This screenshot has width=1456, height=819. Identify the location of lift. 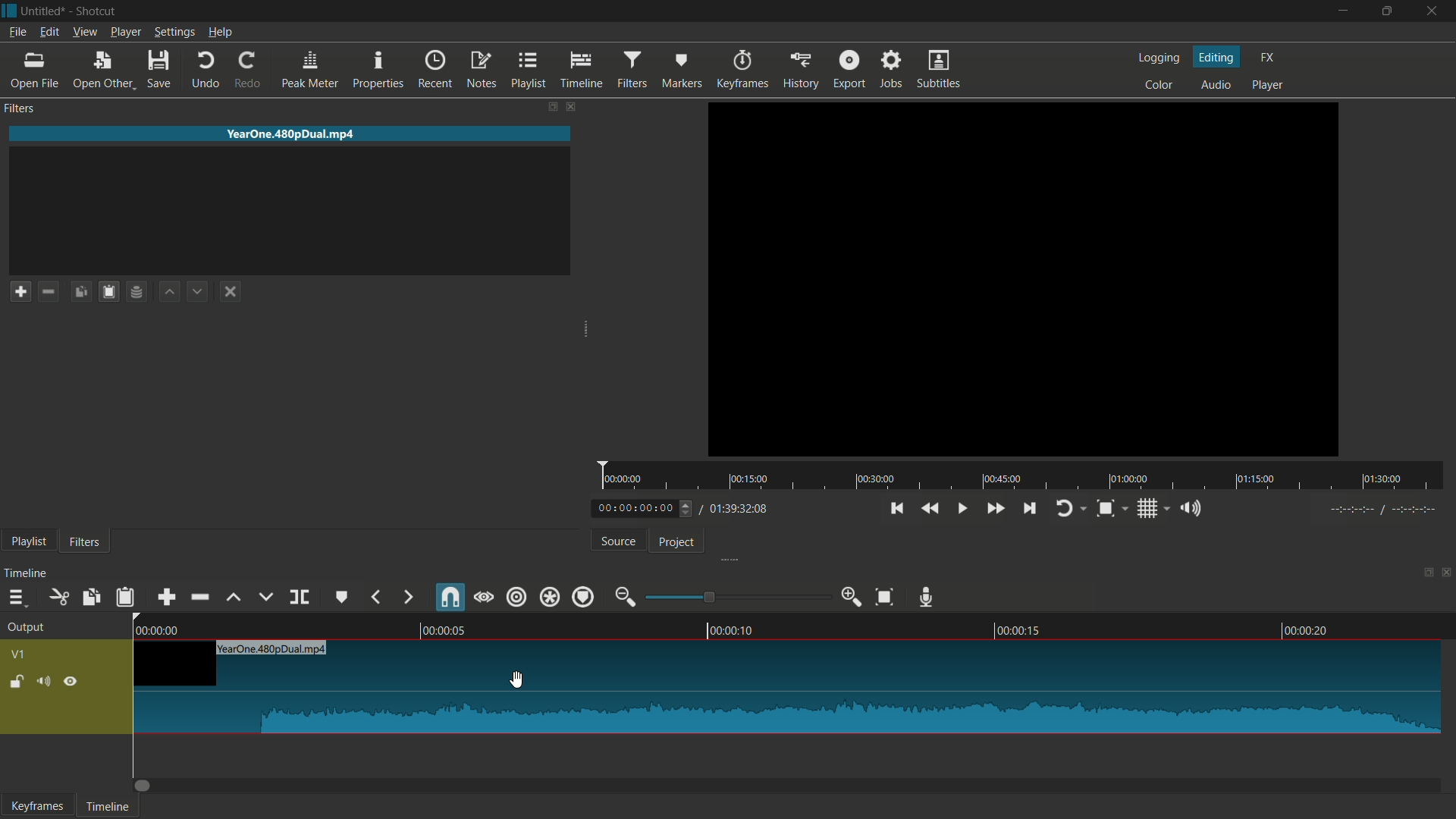
(234, 600).